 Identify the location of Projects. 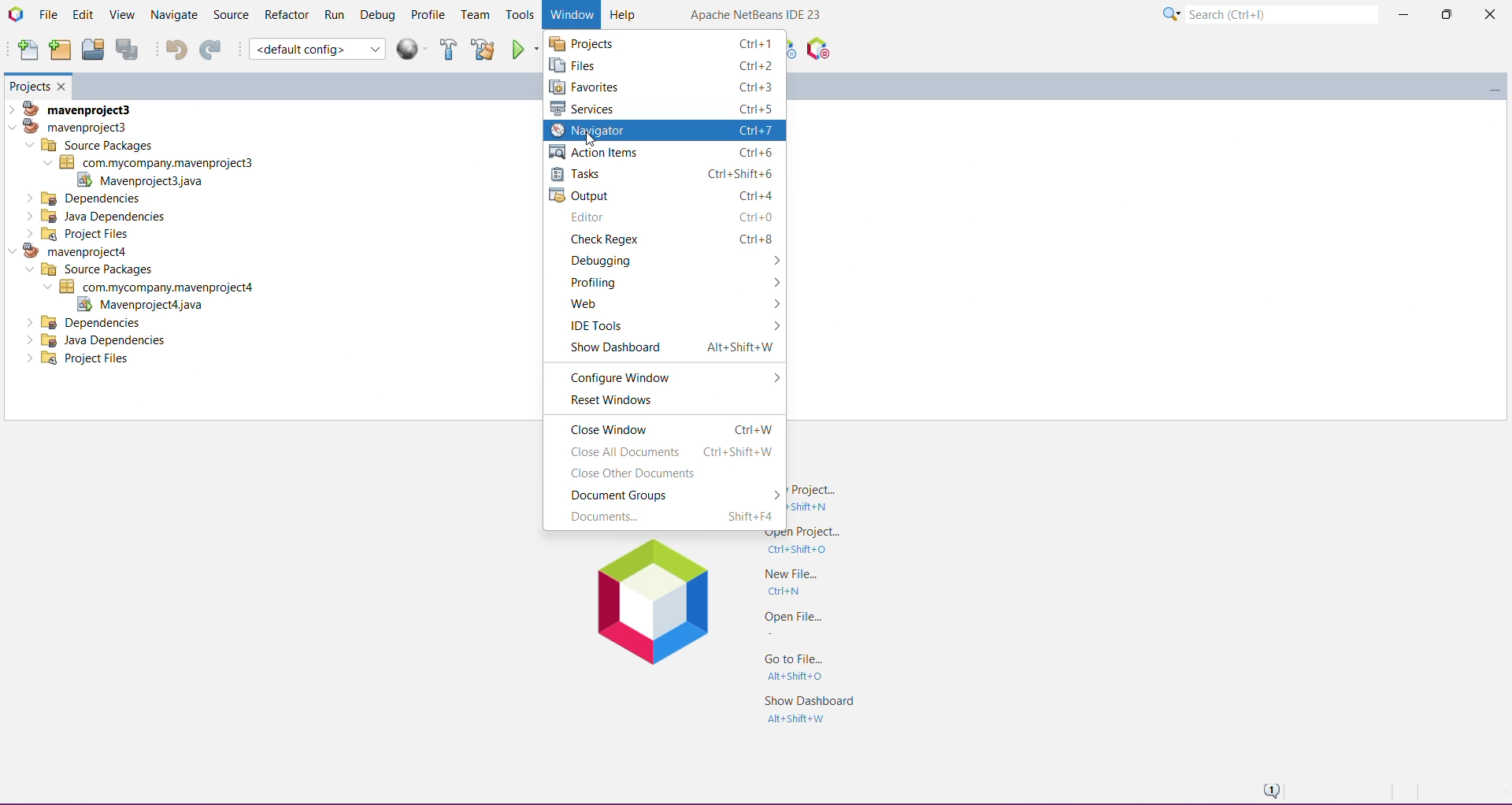
(665, 42).